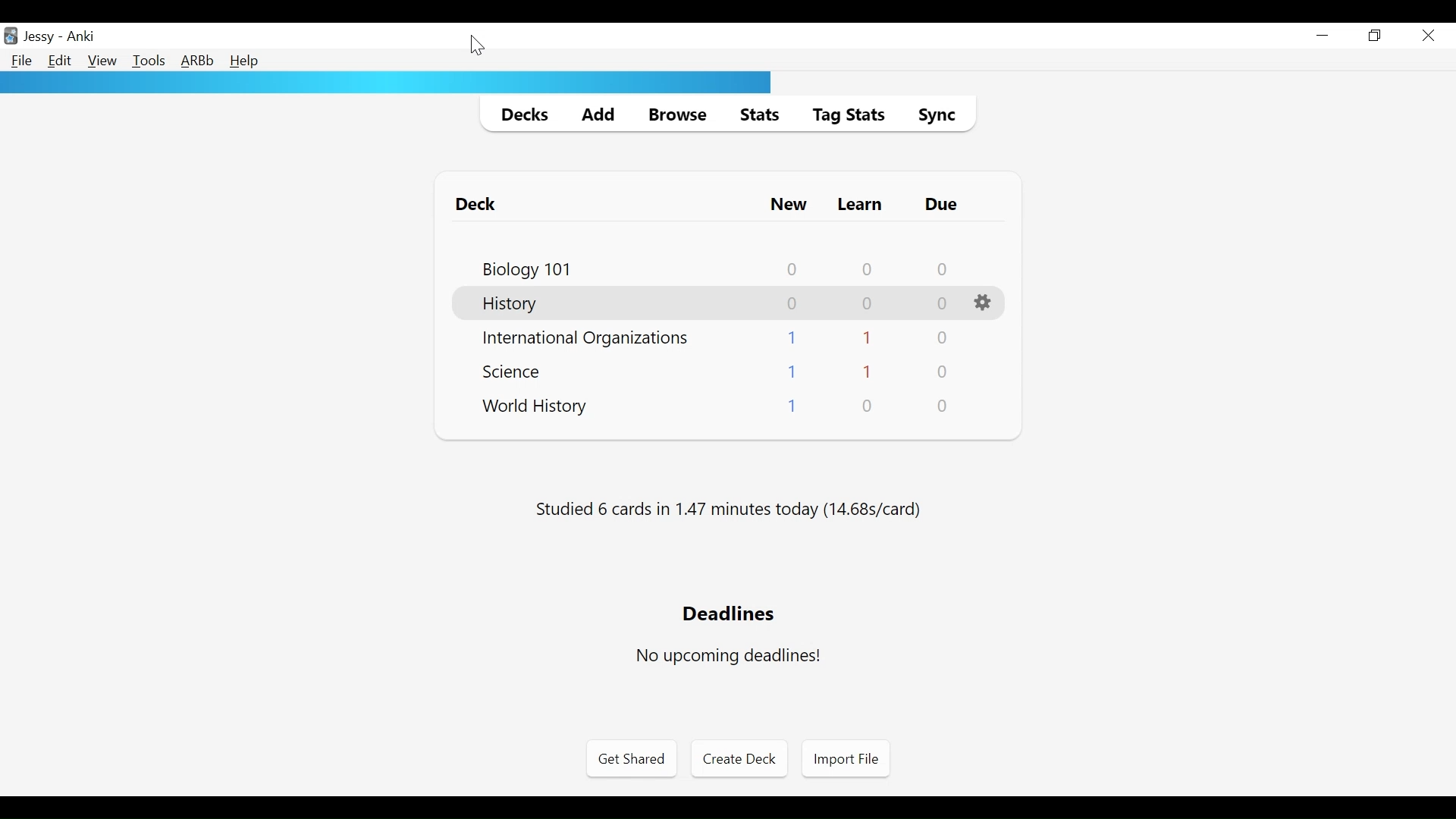 Image resolution: width=1456 pixels, height=819 pixels. What do you see at coordinates (739, 760) in the screenshot?
I see `Create File` at bounding box center [739, 760].